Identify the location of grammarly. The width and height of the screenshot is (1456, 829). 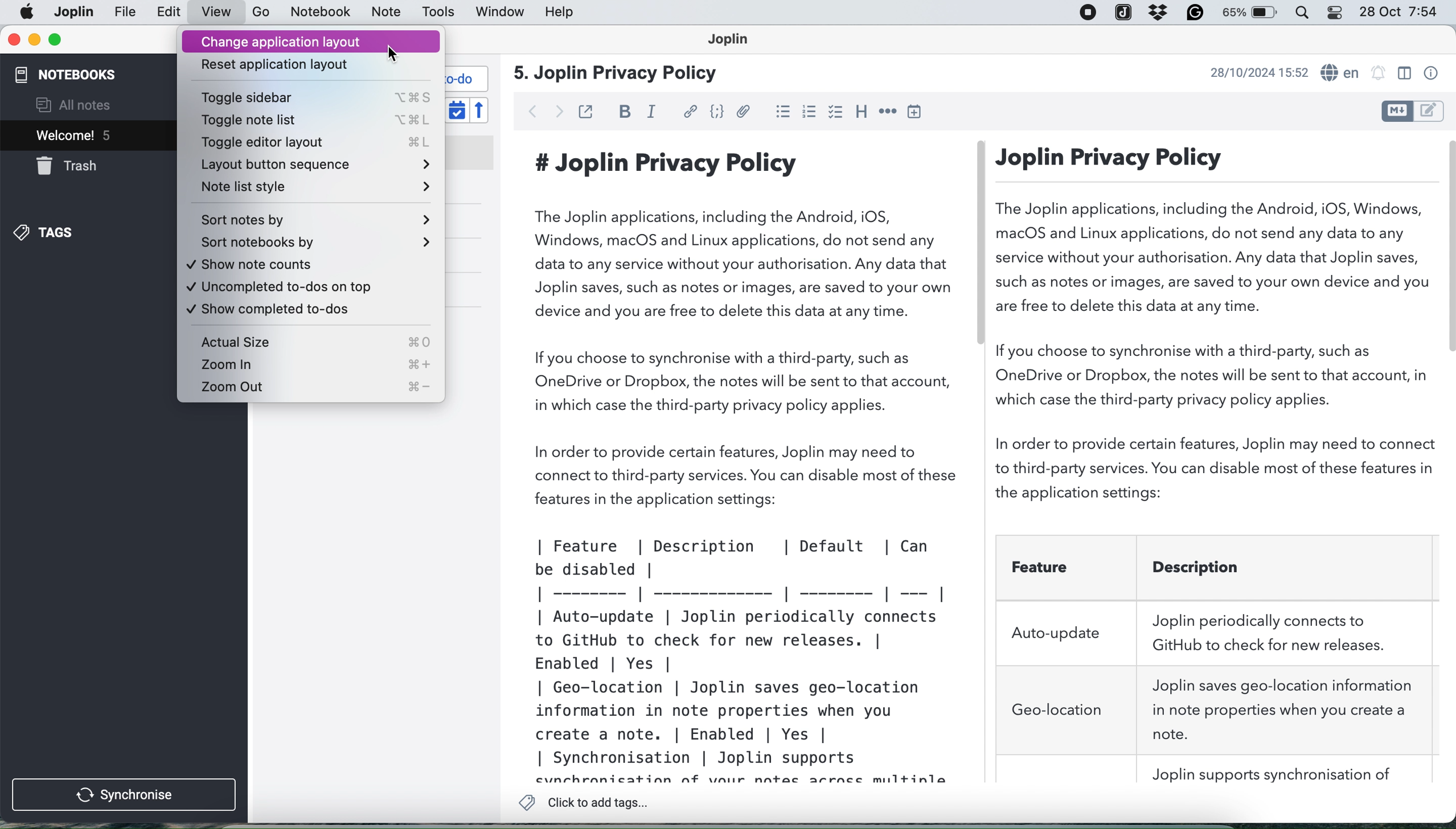
(1195, 14).